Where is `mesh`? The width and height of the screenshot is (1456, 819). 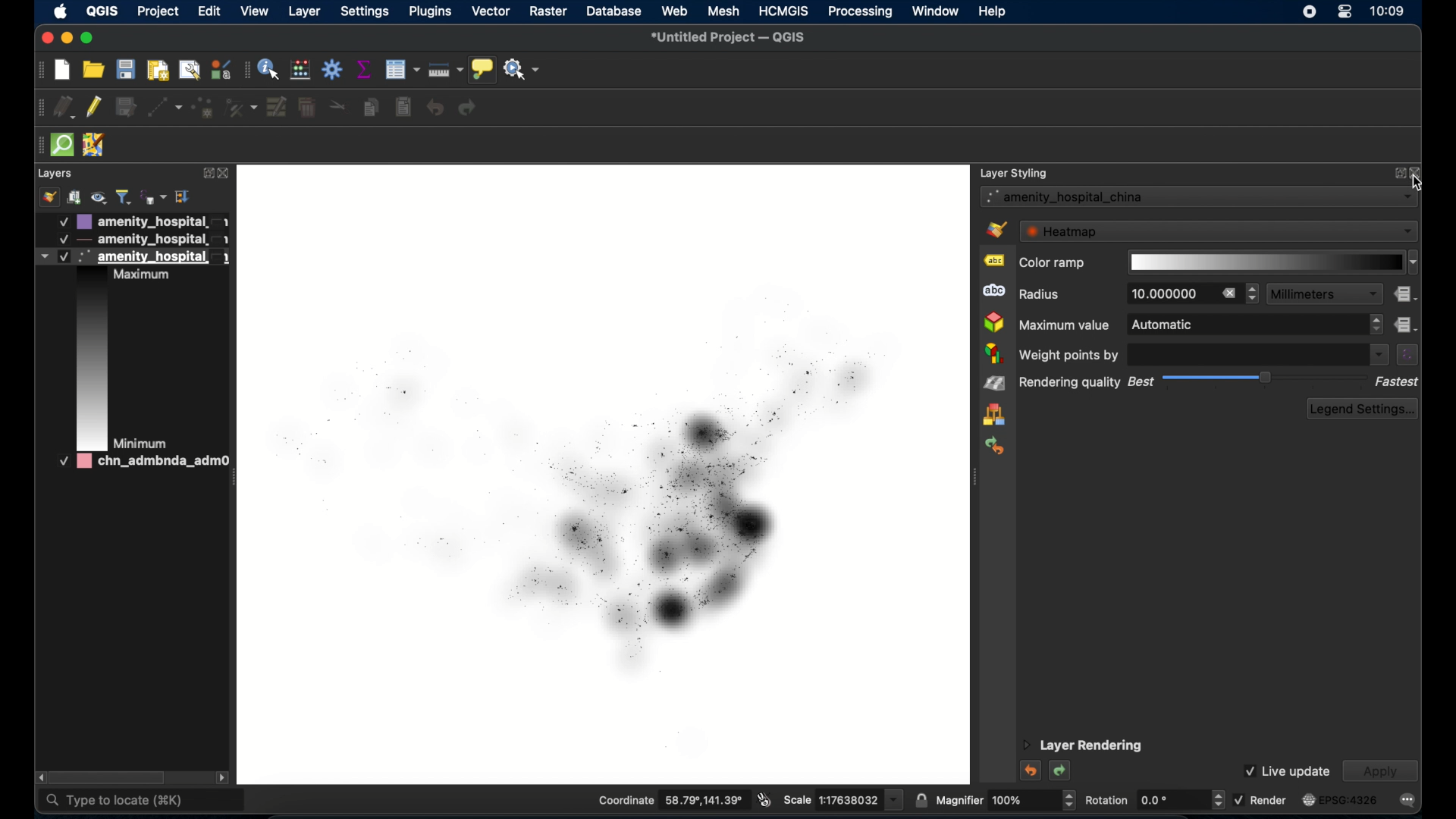
mesh is located at coordinates (723, 11).